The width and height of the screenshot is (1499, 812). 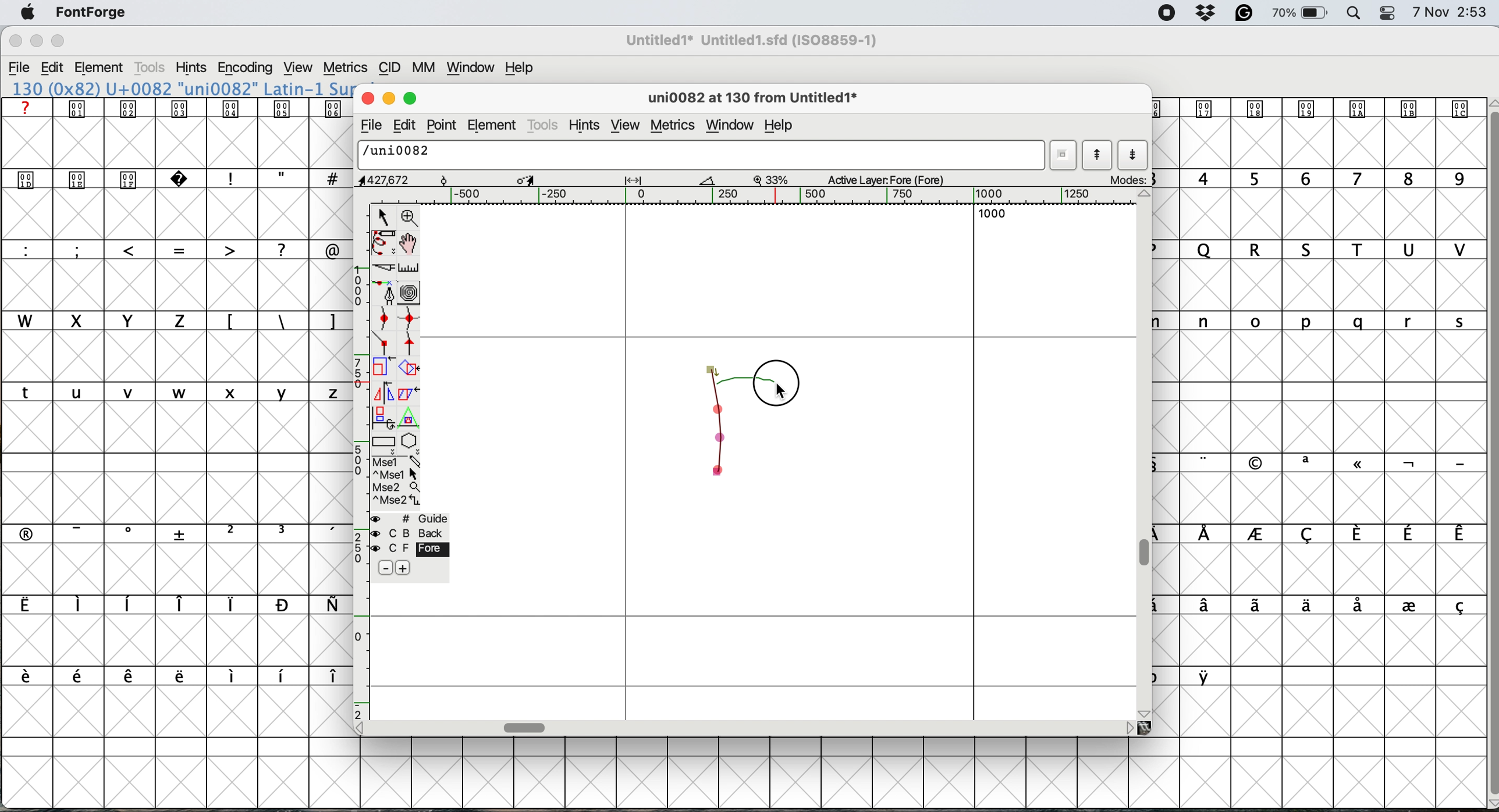 What do you see at coordinates (383, 369) in the screenshot?
I see `scale selection` at bounding box center [383, 369].